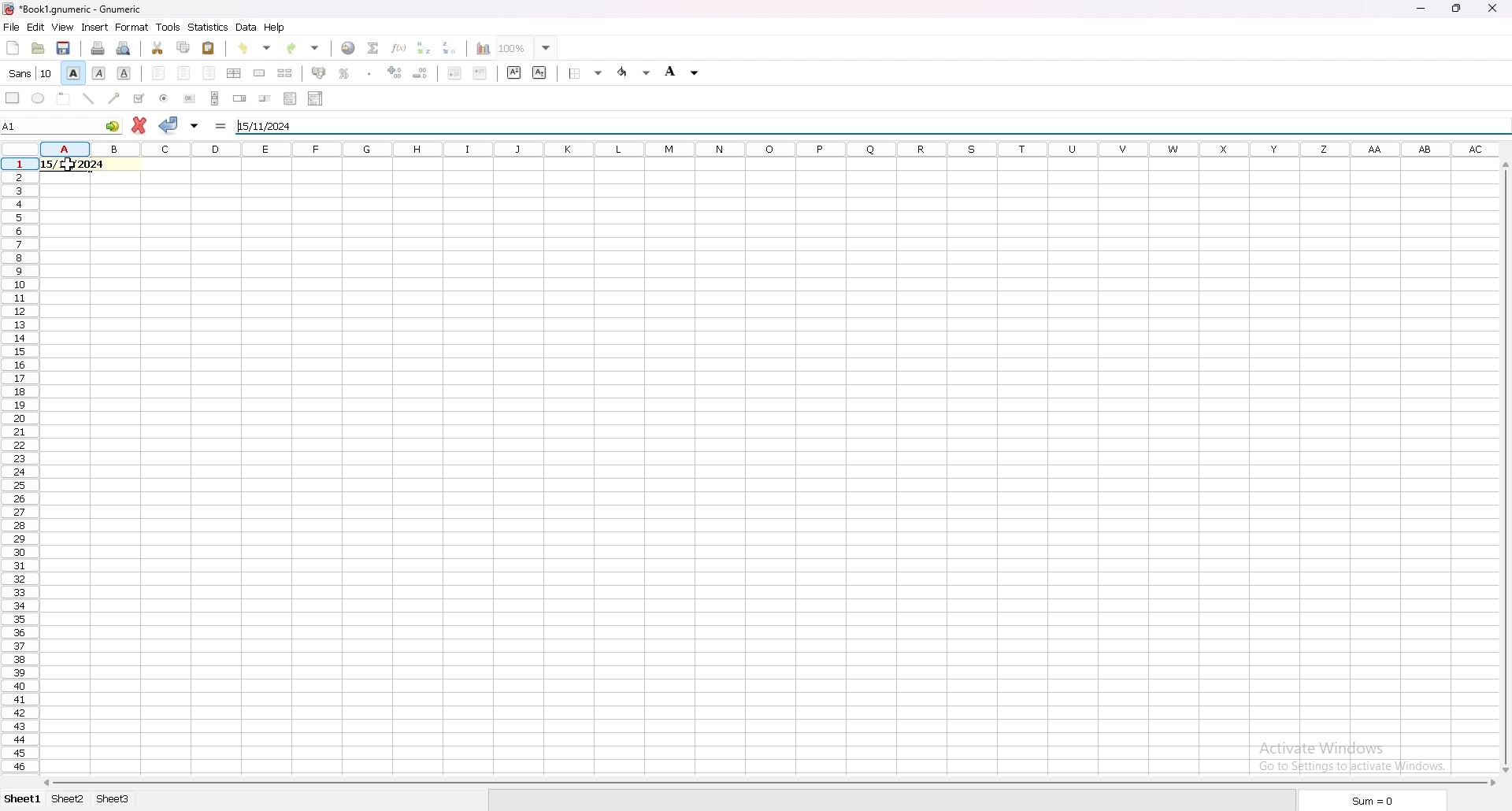 This screenshot has width=1512, height=811. I want to click on edit, so click(37, 26).